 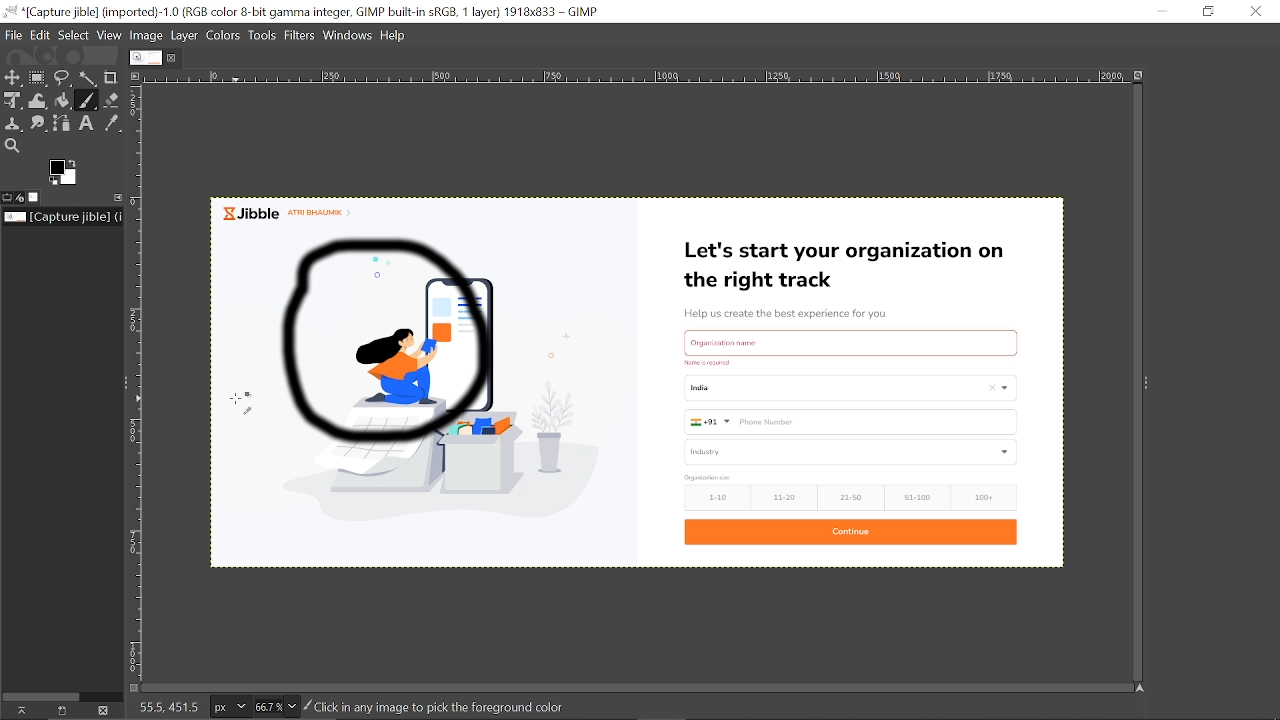 What do you see at coordinates (38, 78) in the screenshot?
I see `Rectangular select tool` at bounding box center [38, 78].